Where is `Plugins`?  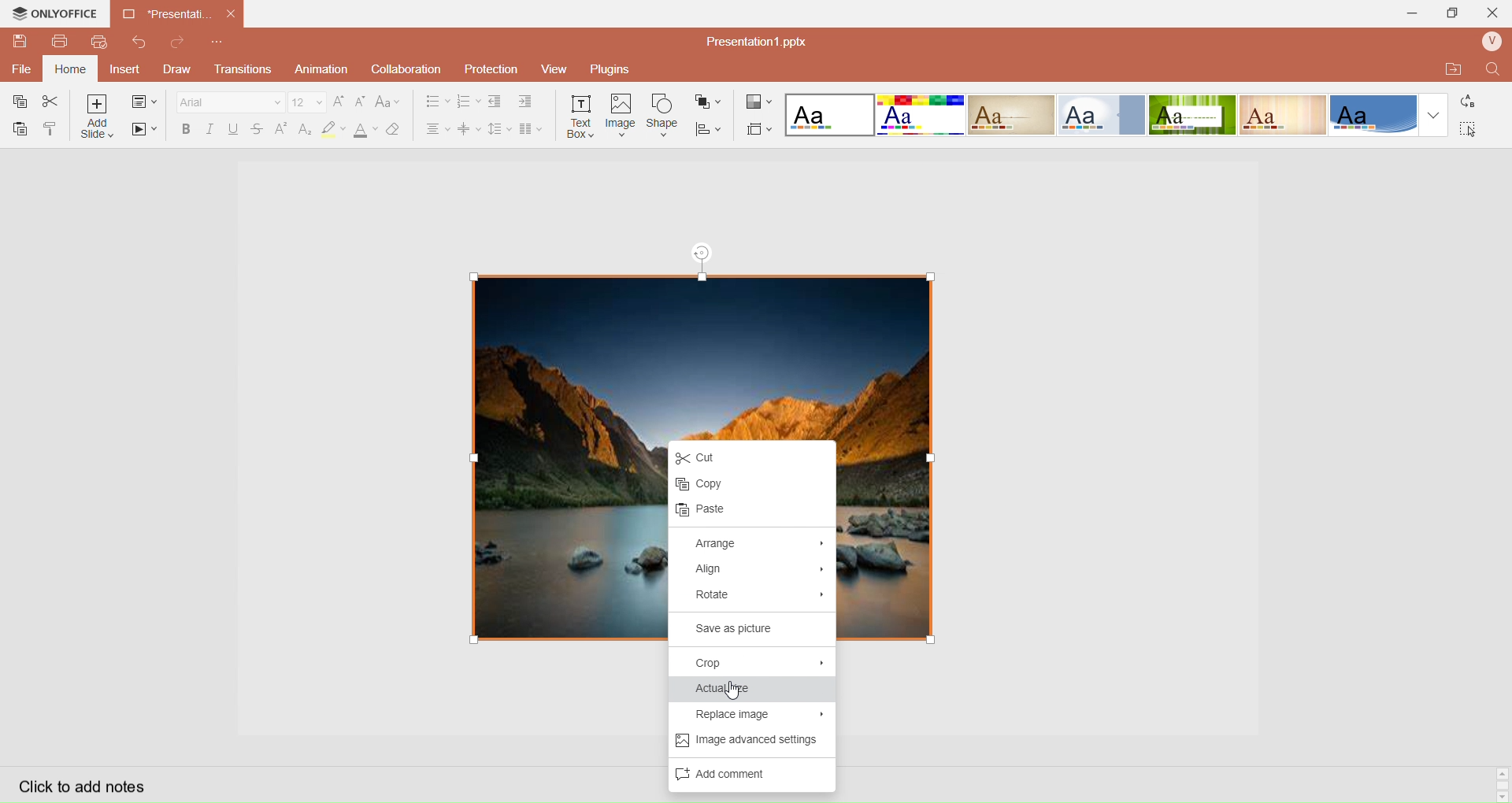
Plugins is located at coordinates (613, 69).